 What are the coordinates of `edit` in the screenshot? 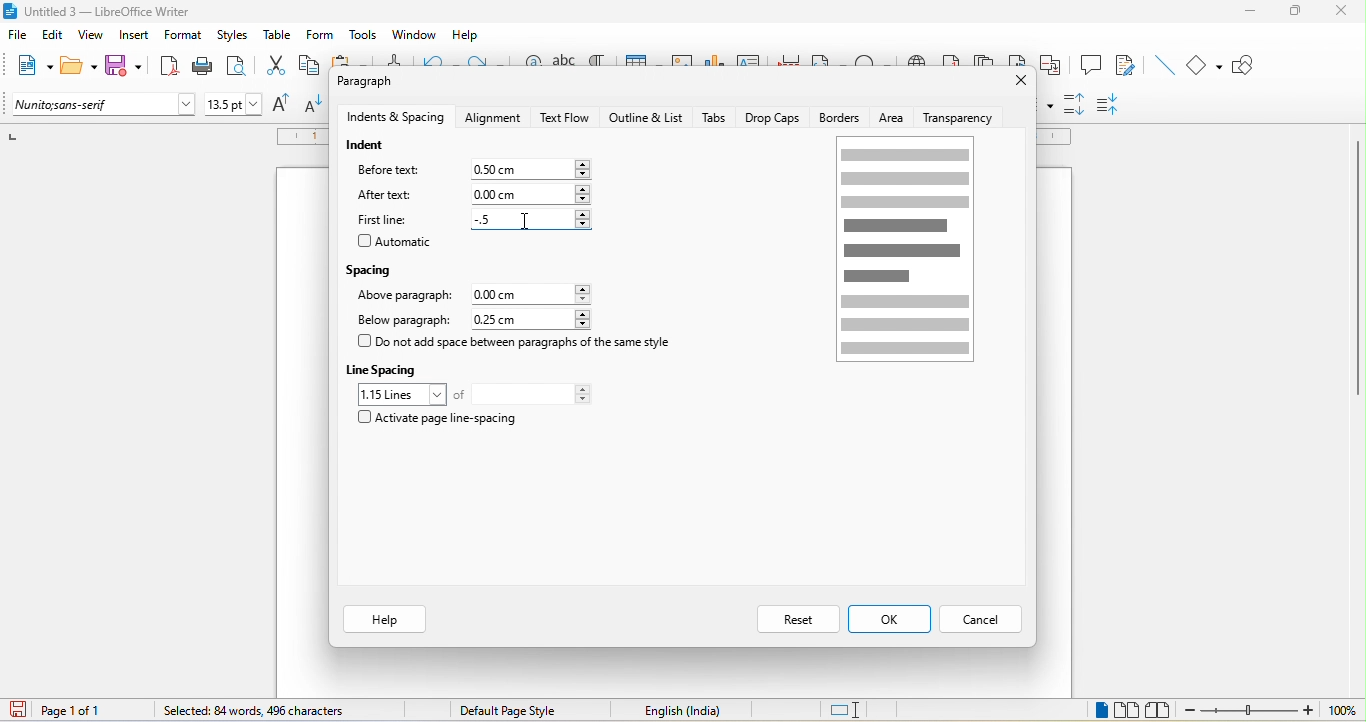 It's located at (54, 38).